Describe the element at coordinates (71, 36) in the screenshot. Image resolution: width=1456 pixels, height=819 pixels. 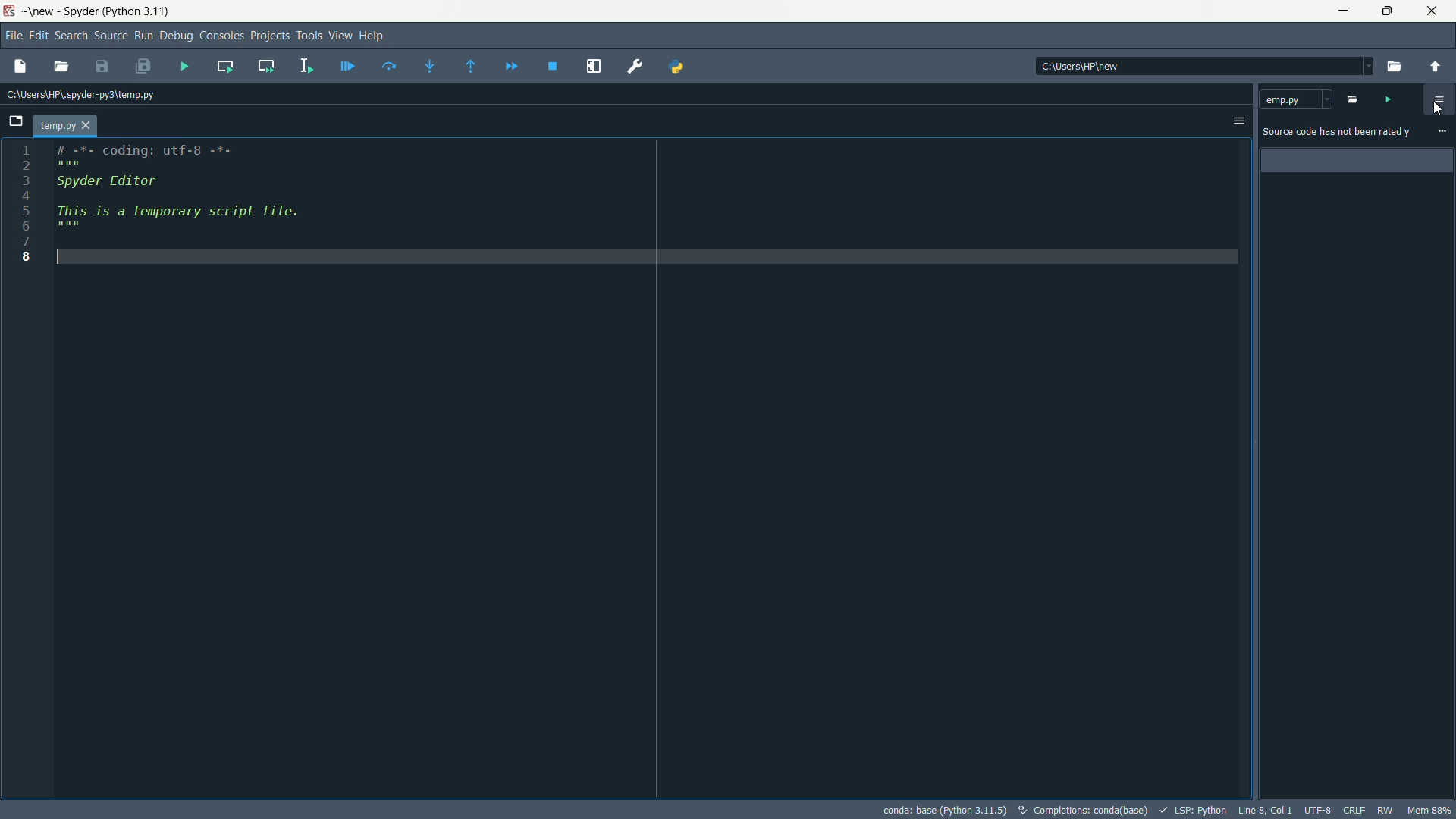
I see `search menu` at that location.